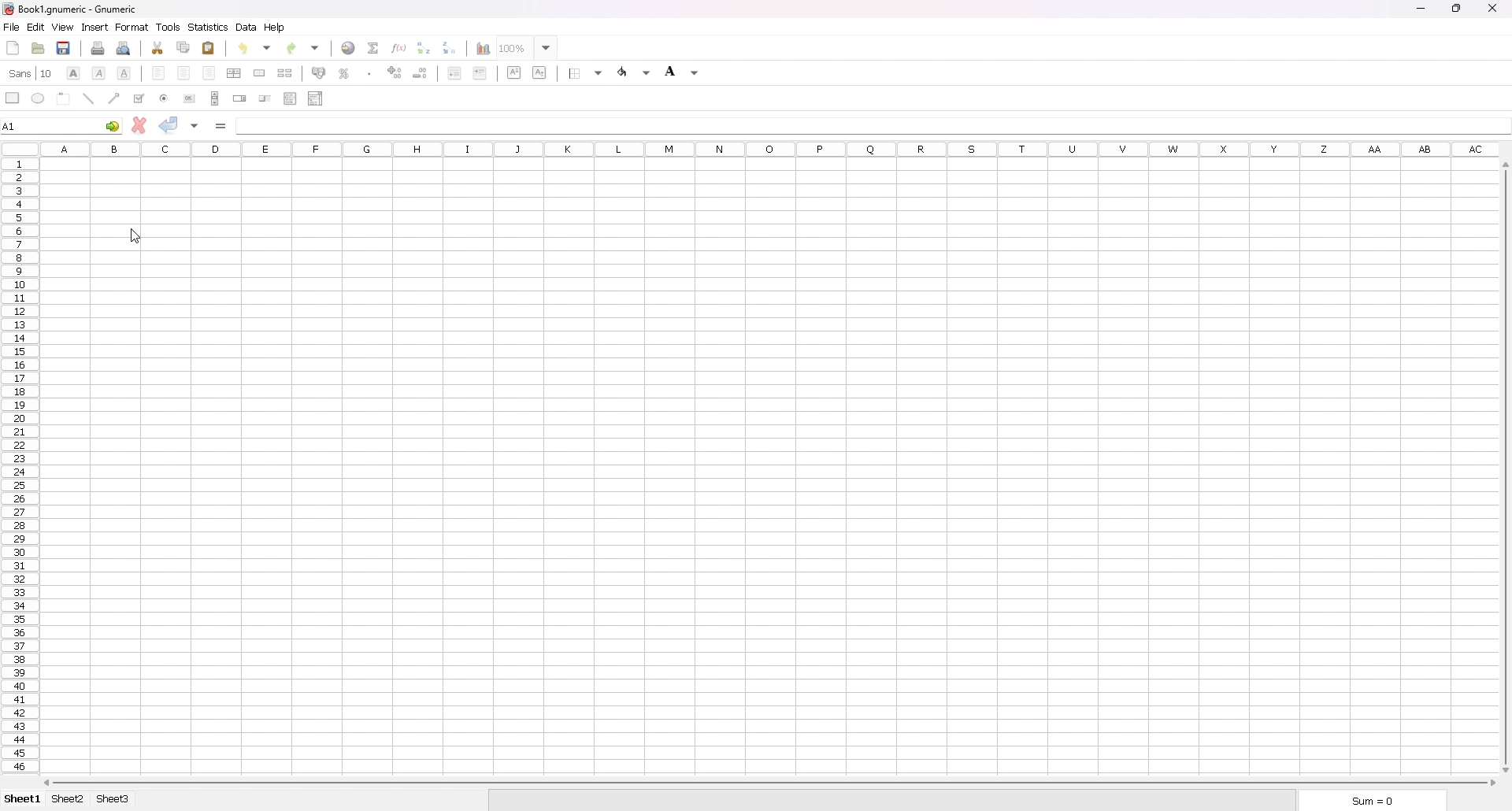 This screenshot has height=811, width=1512. Describe the element at coordinates (424, 47) in the screenshot. I see `sort ascending` at that location.